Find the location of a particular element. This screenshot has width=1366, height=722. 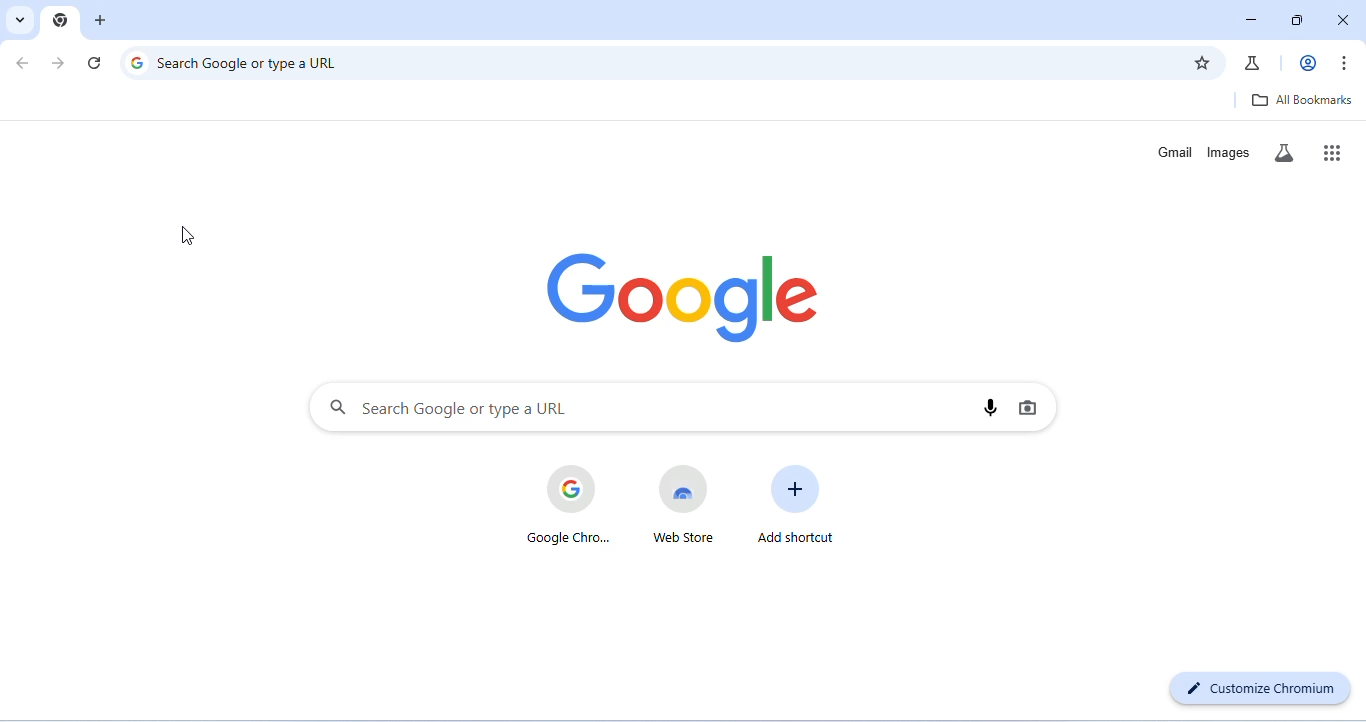

close is located at coordinates (1346, 20).